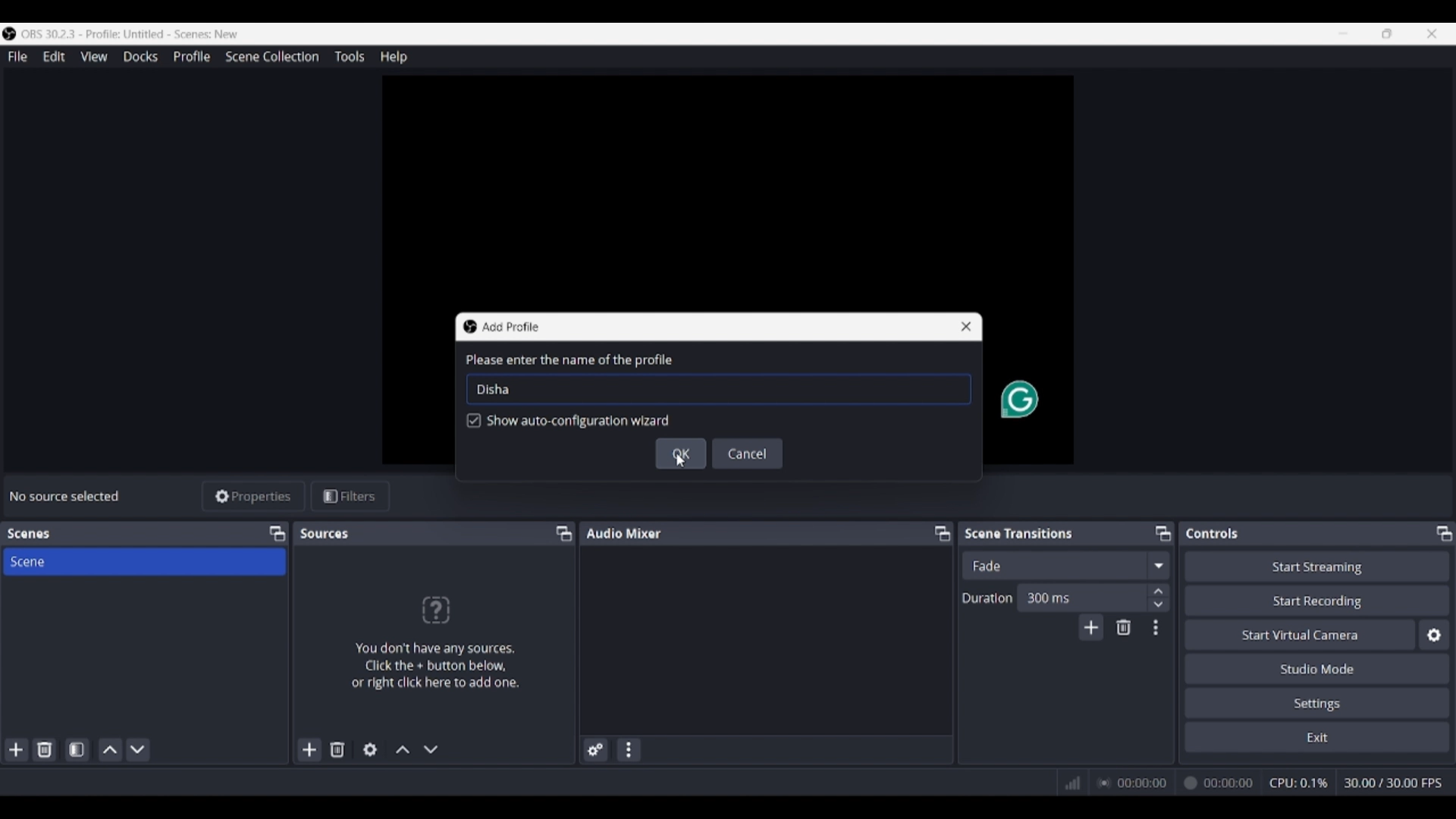 This screenshot has height=819, width=1456. Describe the element at coordinates (1018, 400) in the screenshot. I see `Grammarly extension activated` at that location.